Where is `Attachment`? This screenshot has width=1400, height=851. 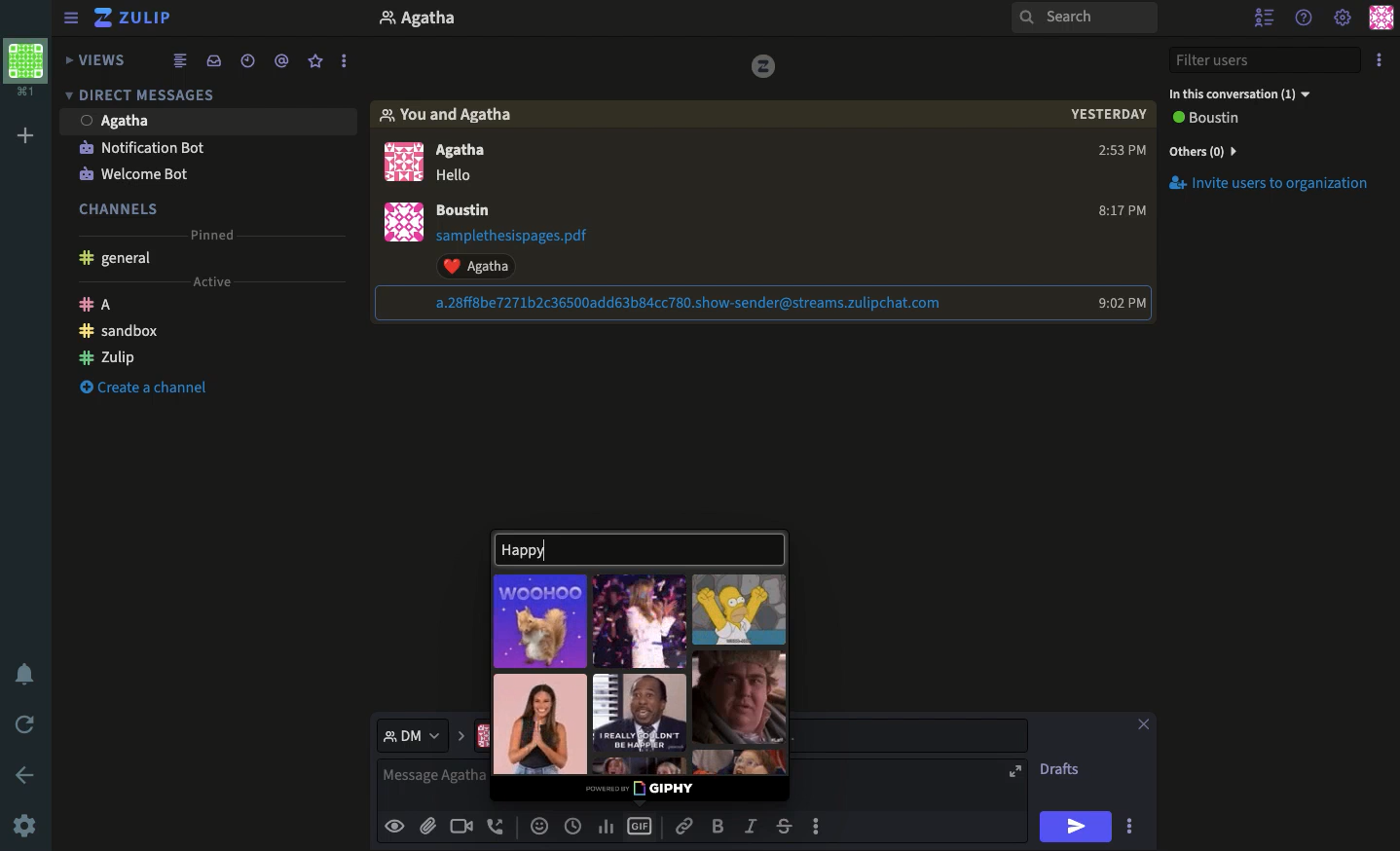 Attachment is located at coordinates (530, 252).